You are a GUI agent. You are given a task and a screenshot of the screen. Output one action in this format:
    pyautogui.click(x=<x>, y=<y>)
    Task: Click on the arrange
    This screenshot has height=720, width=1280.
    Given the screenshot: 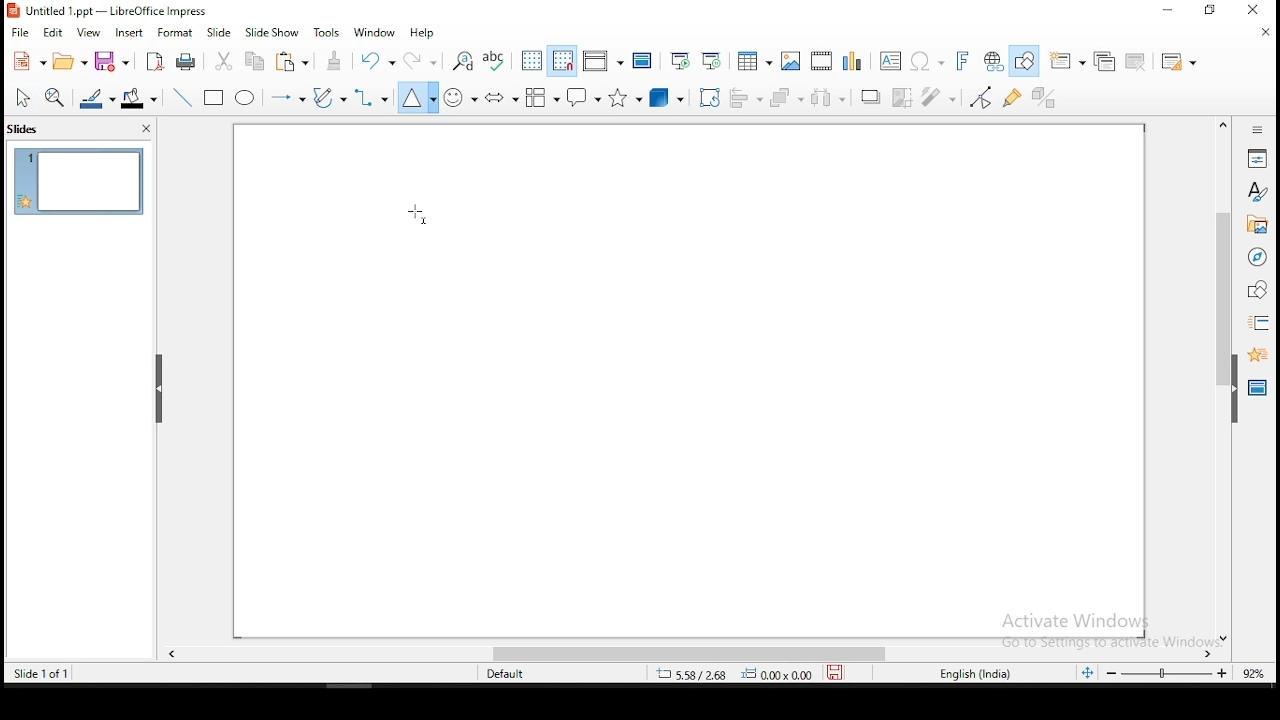 What is the action you would take?
    pyautogui.click(x=789, y=97)
    